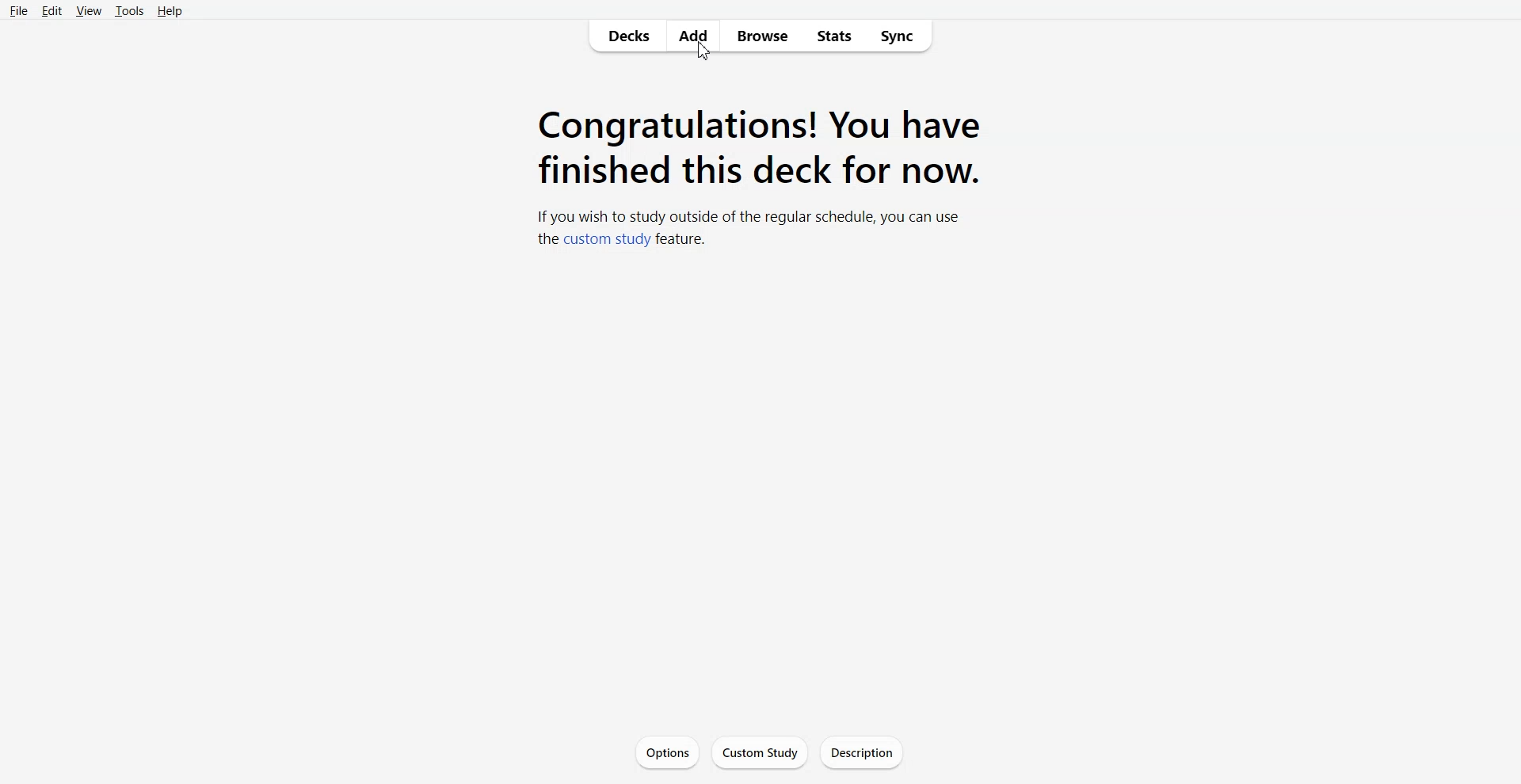 This screenshot has height=784, width=1521. Describe the element at coordinates (667, 751) in the screenshot. I see `Options` at that location.